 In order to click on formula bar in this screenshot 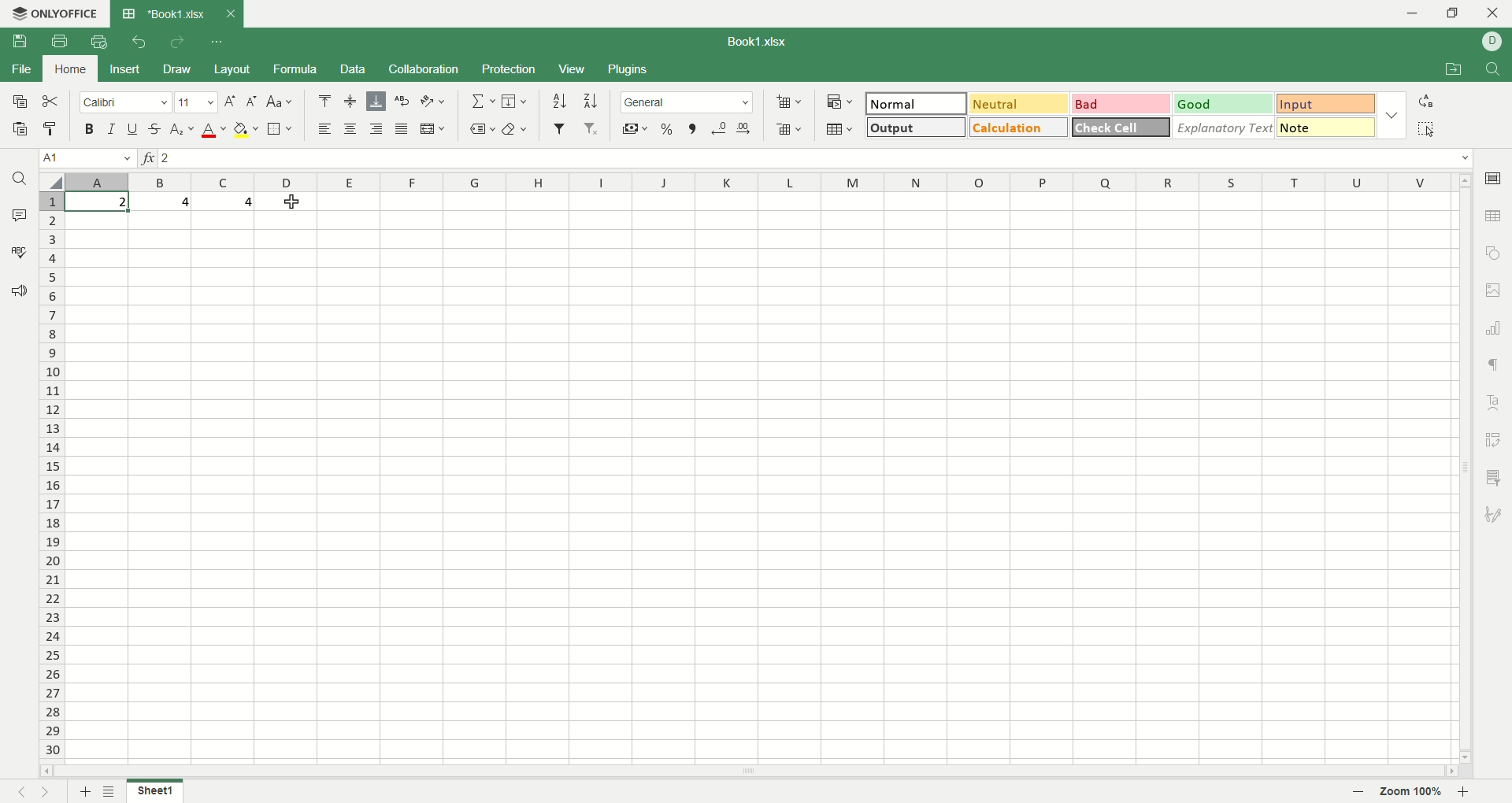, I will do `click(817, 157)`.